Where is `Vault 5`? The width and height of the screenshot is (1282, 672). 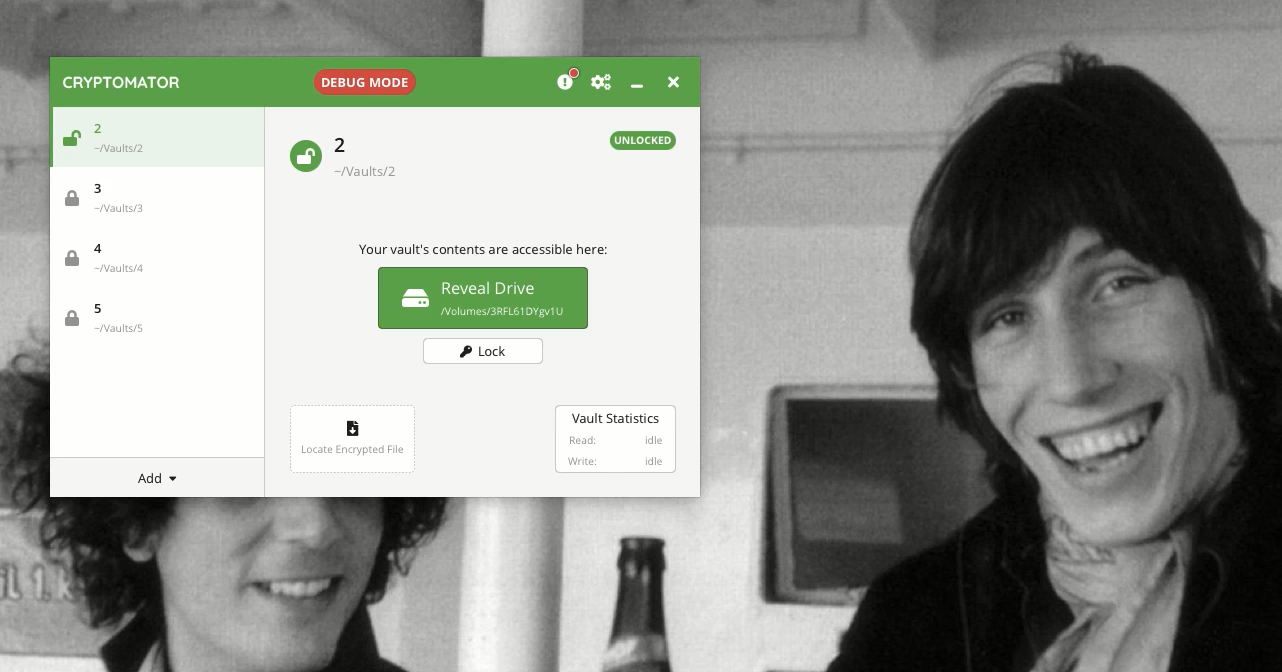
Vault 5 is located at coordinates (104, 319).